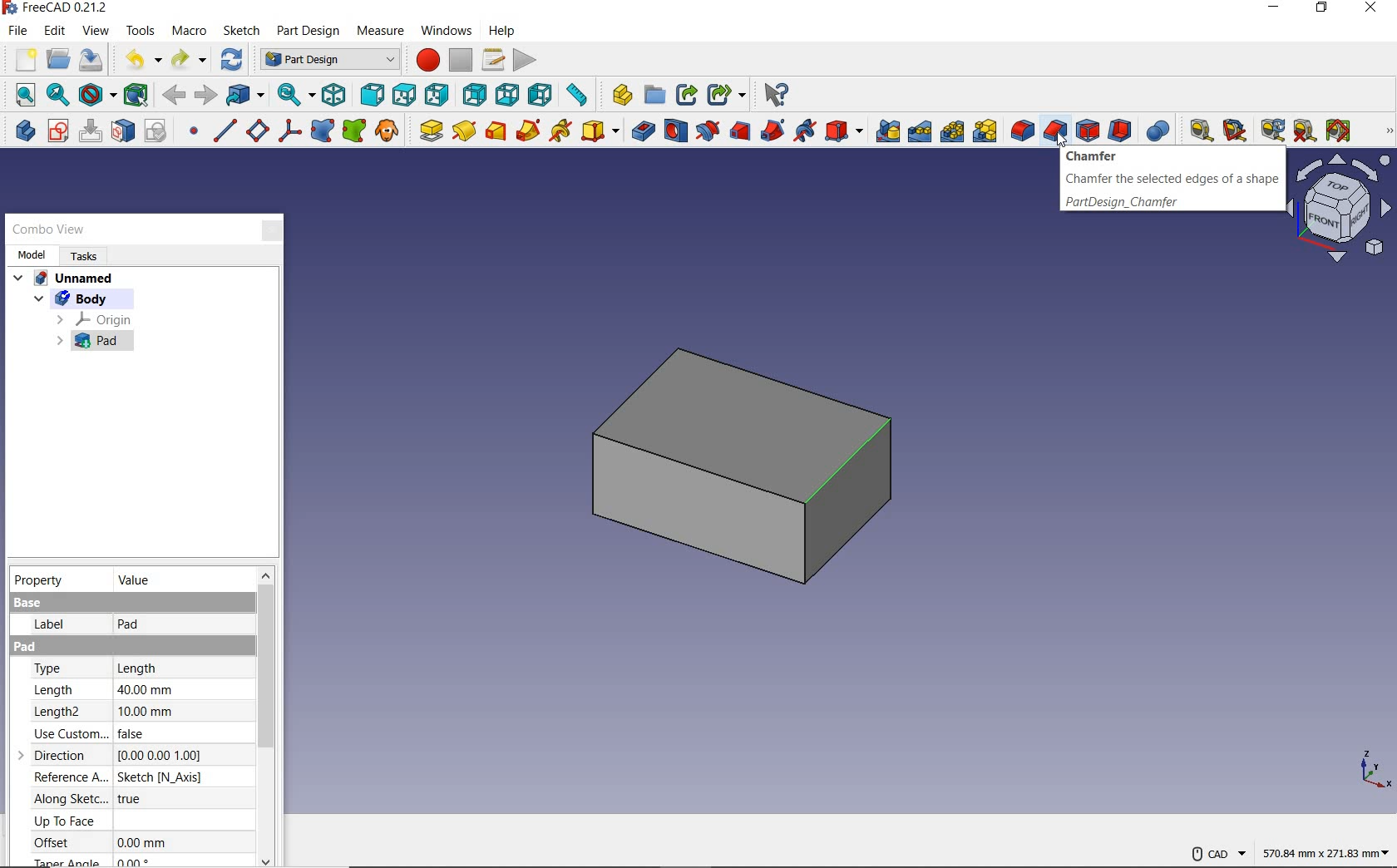  Describe the element at coordinates (620, 96) in the screenshot. I see `create part` at that location.